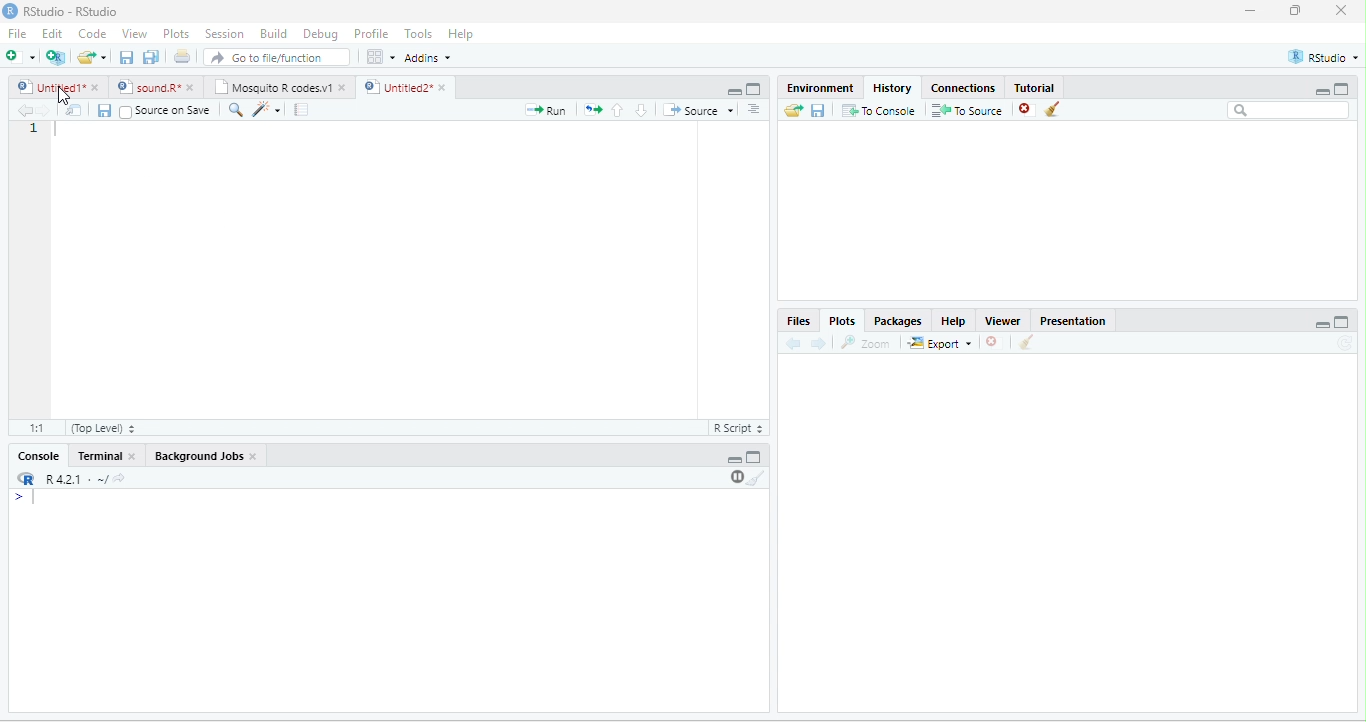 The width and height of the screenshot is (1366, 722). I want to click on minimize, so click(1321, 92).